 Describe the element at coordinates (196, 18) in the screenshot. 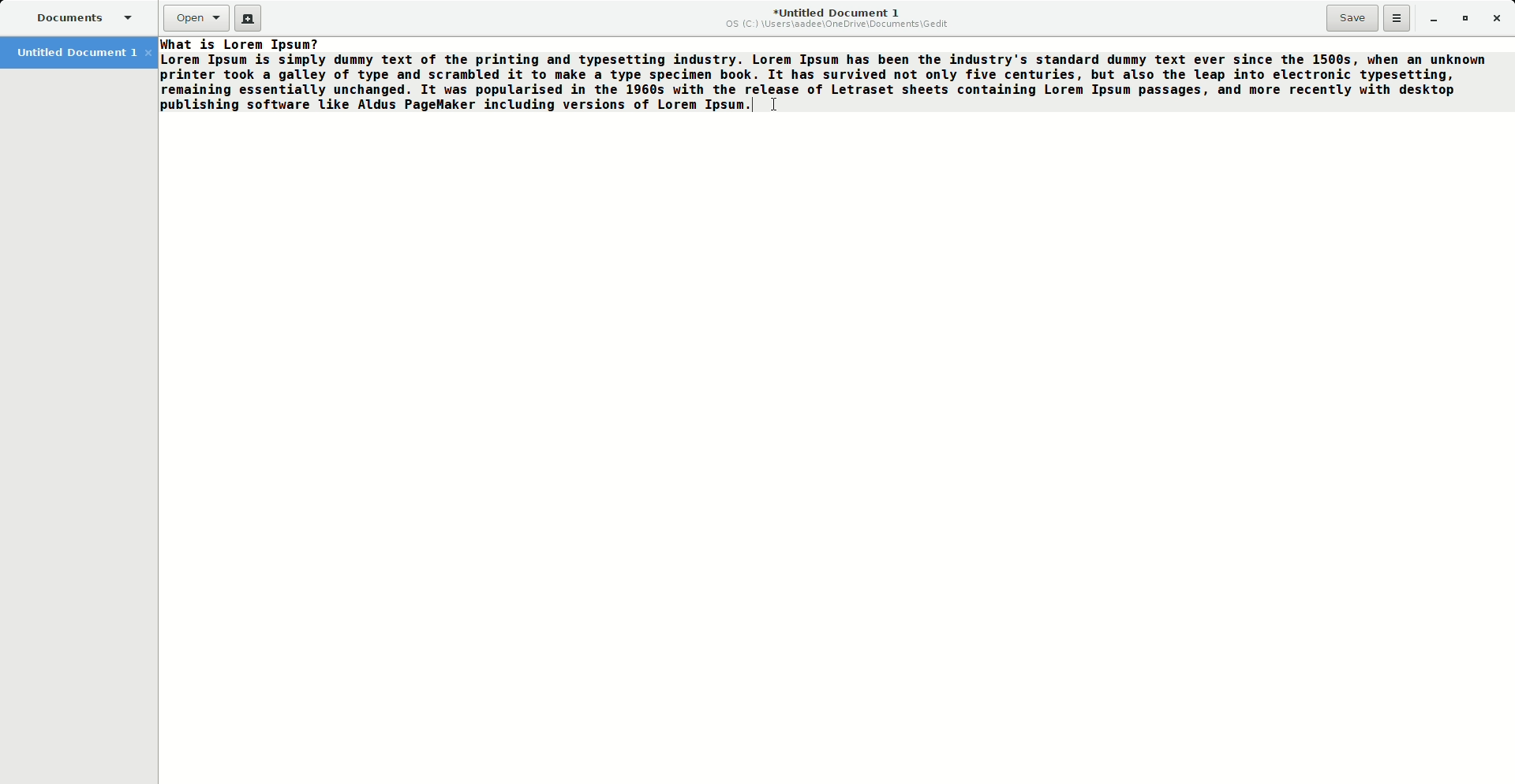

I see `Open` at that location.